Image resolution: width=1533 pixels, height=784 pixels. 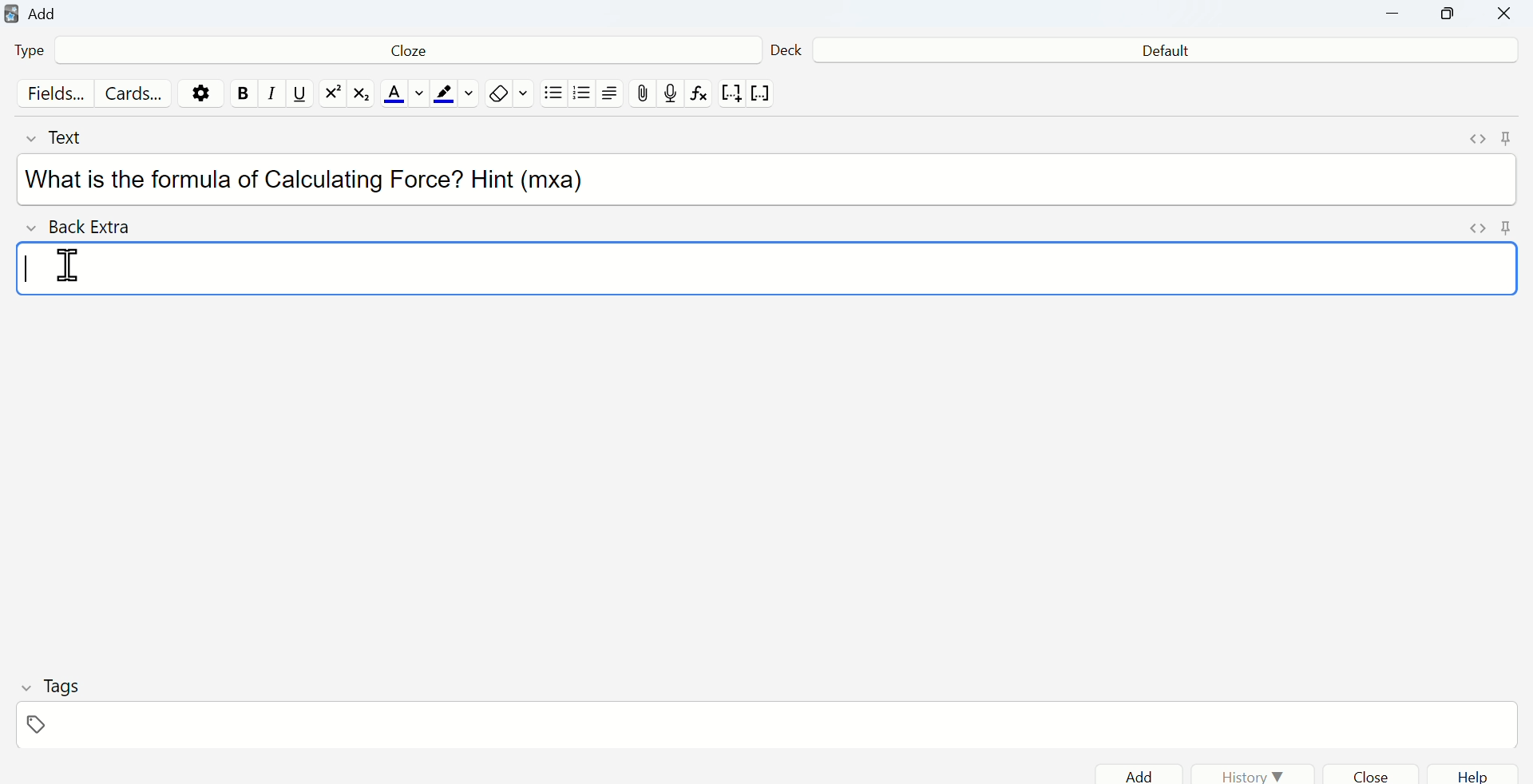 I want to click on Add, so click(x=1144, y=775).